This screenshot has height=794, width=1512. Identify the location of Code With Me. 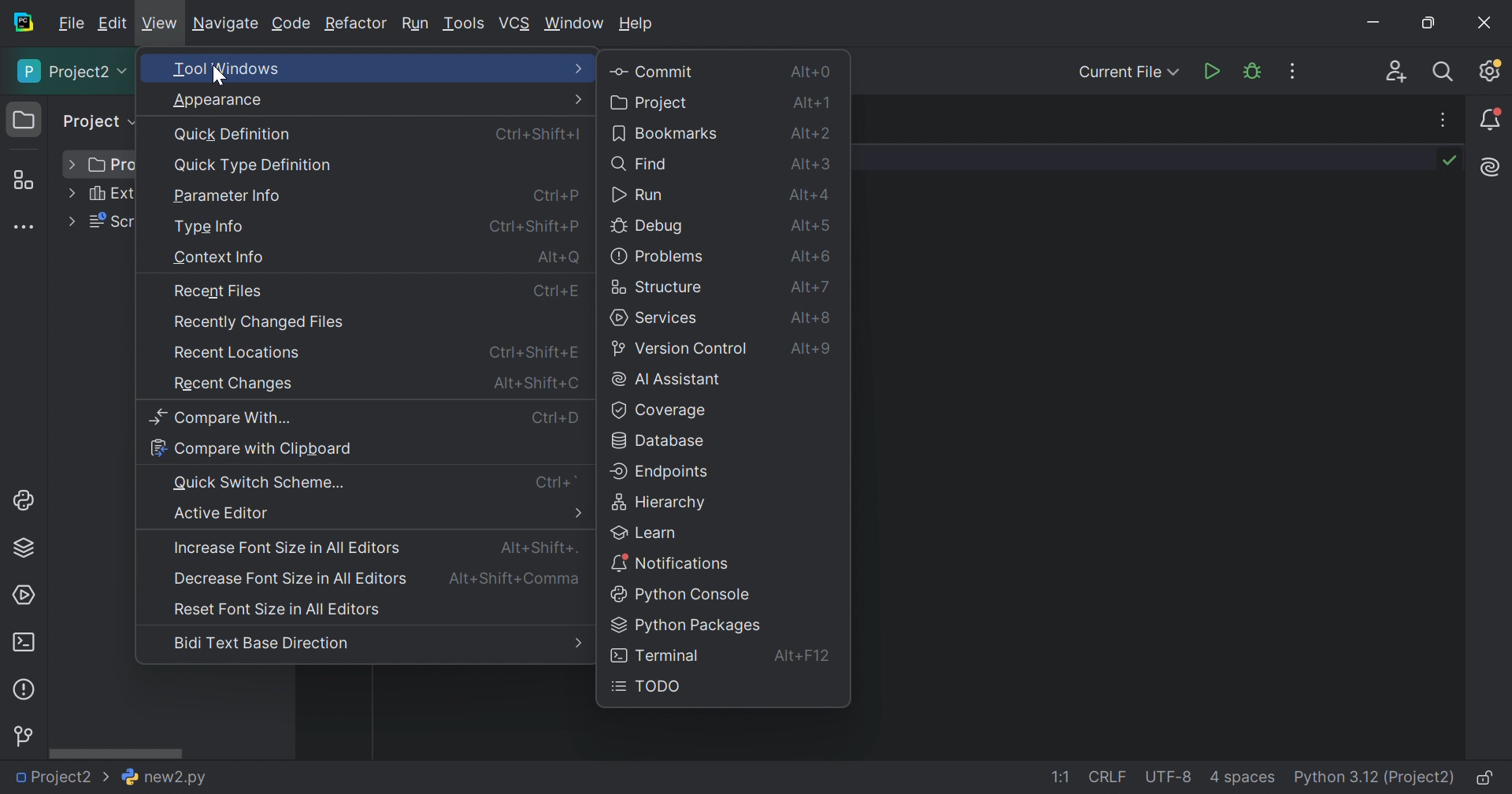
(1396, 71).